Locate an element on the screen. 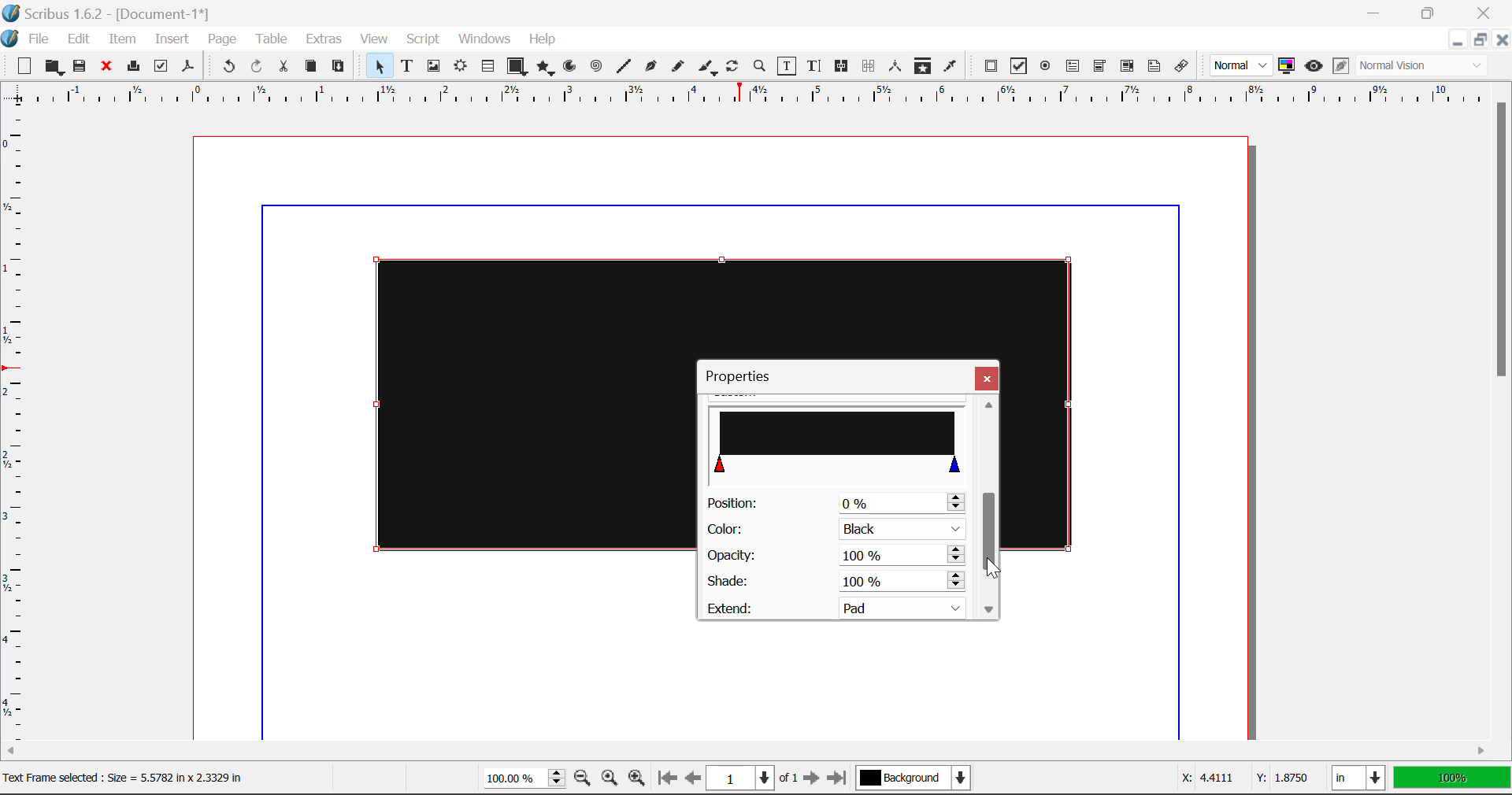 This screenshot has height=795, width=1512. Link Frames is located at coordinates (844, 66).